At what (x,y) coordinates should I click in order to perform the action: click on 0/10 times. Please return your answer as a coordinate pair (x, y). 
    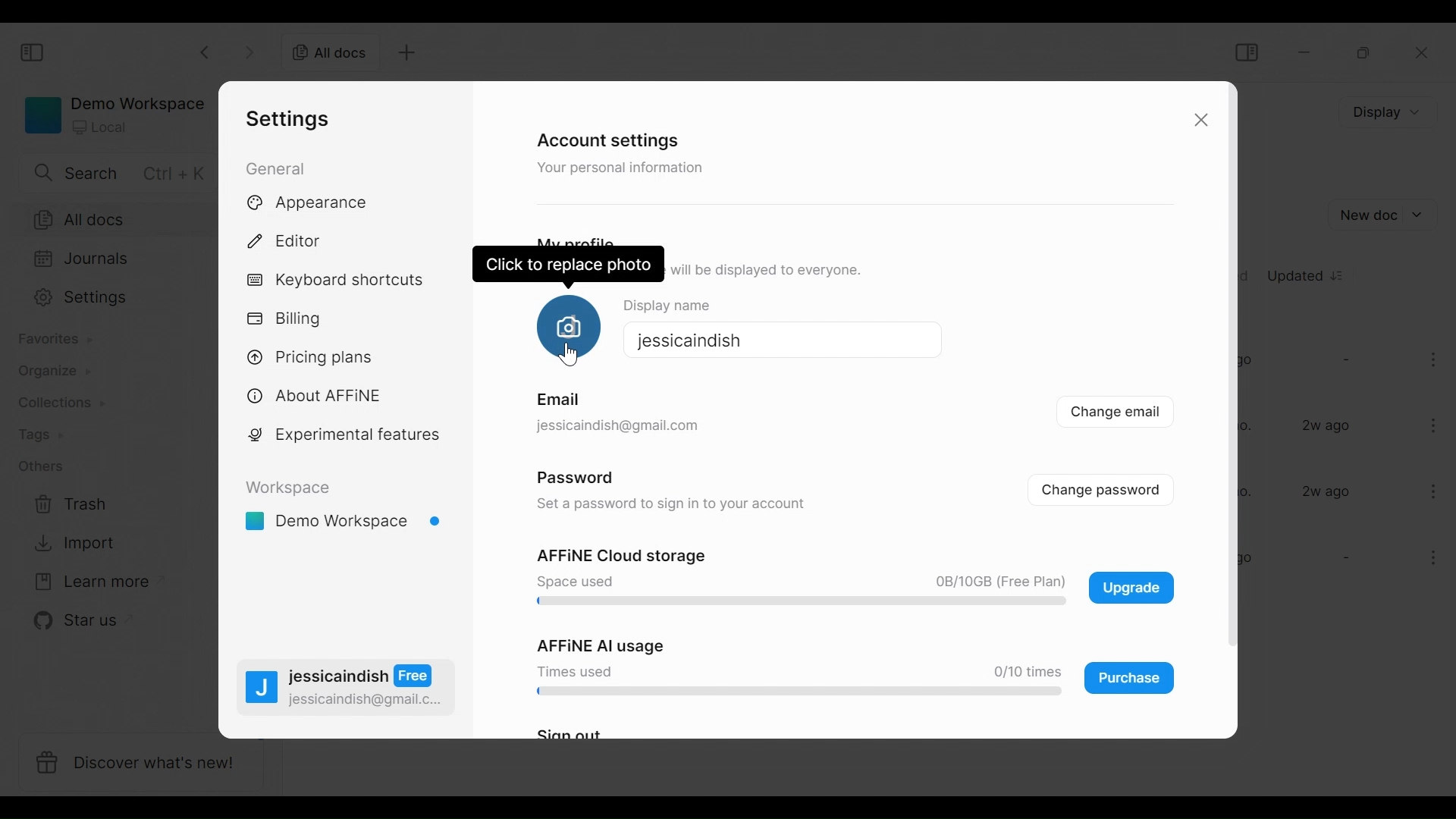
    Looking at the image, I should click on (1022, 672).